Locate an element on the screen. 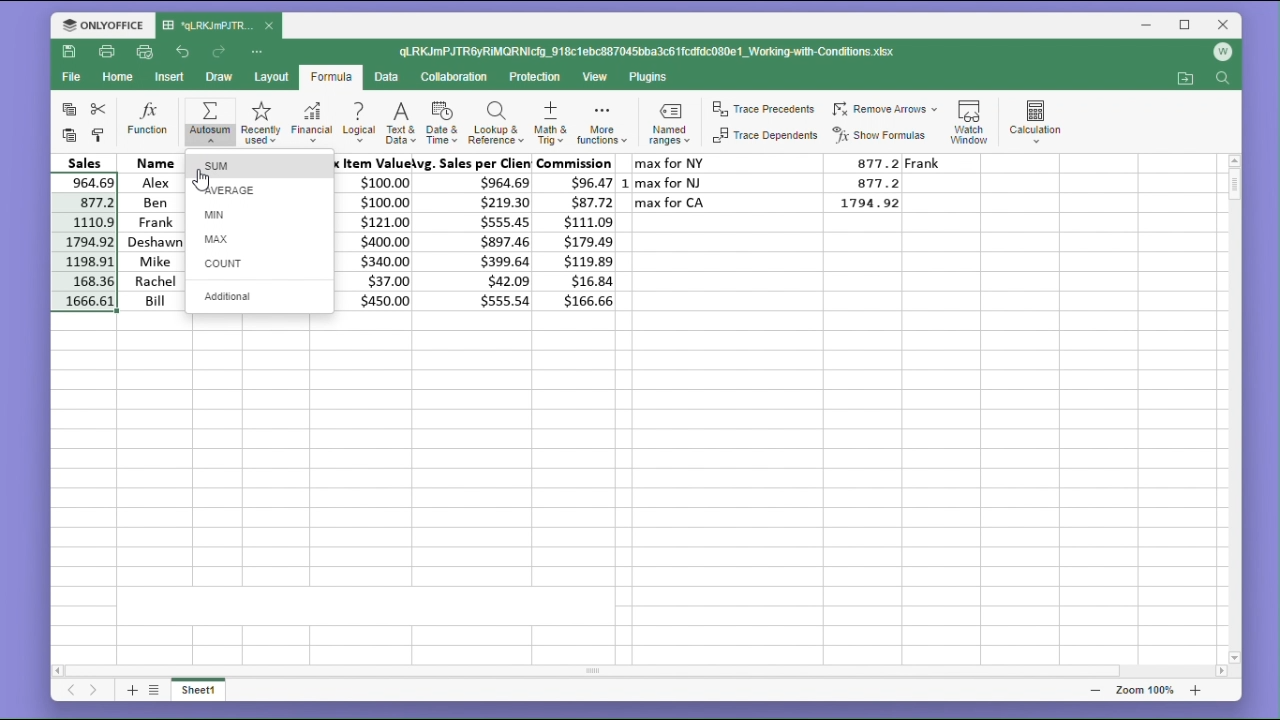 This screenshot has width=1280, height=720. additional is located at coordinates (259, 297).